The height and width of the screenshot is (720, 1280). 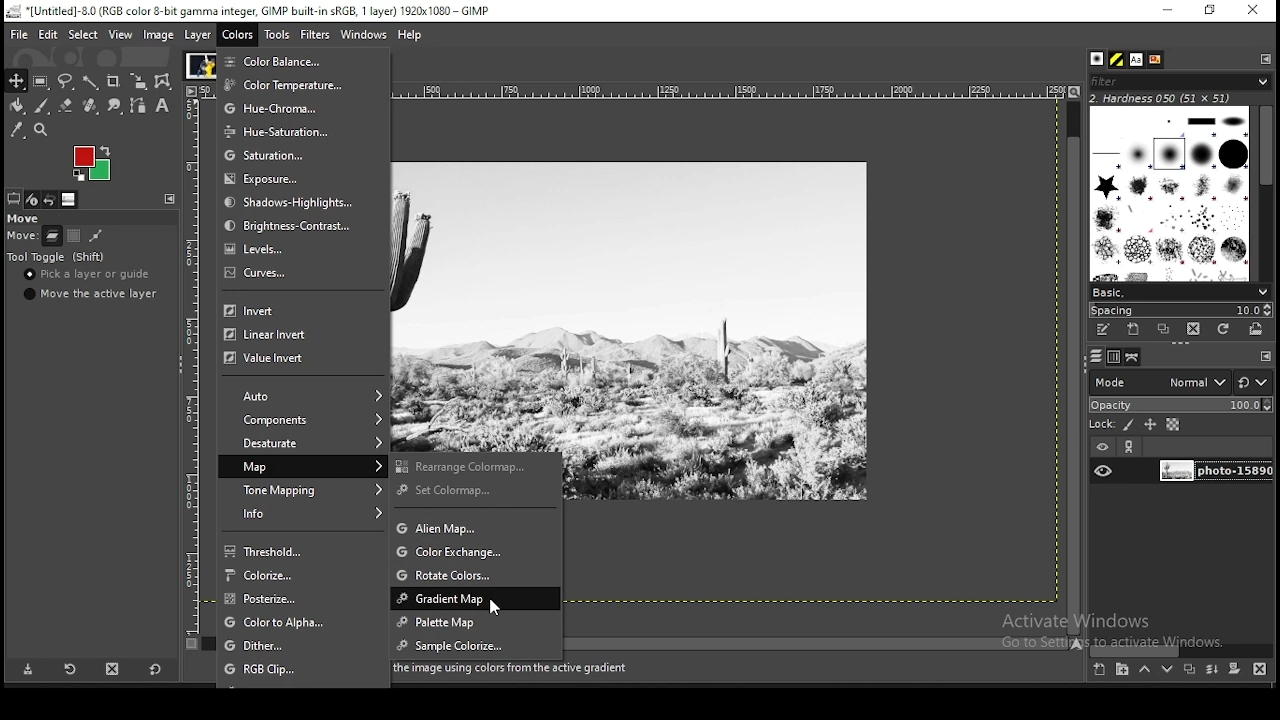 What do you see at coordinates (40, 130) in the screenshot?
I see `zoom tool` at bounding box center [40, 130].